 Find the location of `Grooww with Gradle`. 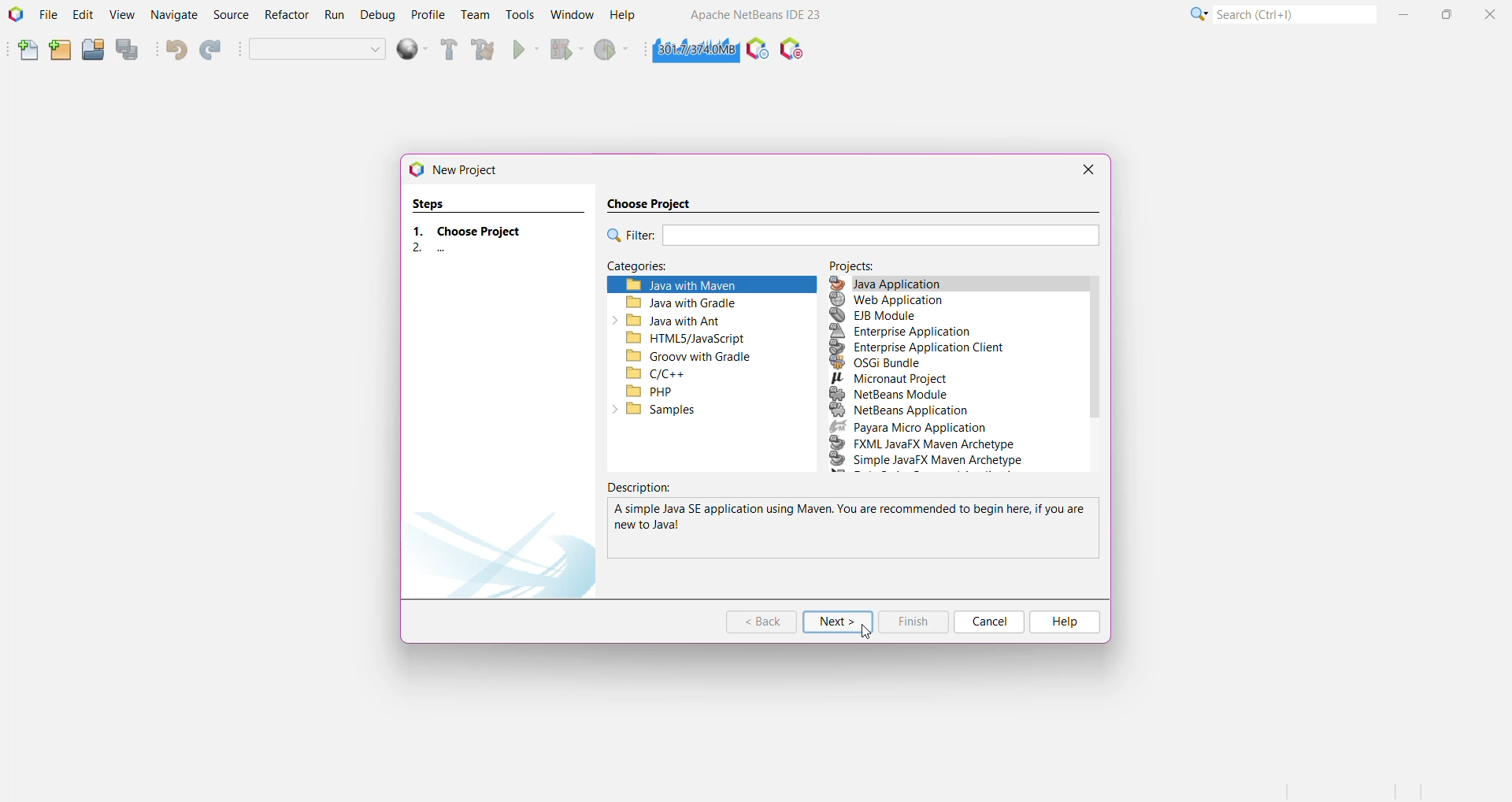

Grooww with Gradle is located at coordinates (713, 355).